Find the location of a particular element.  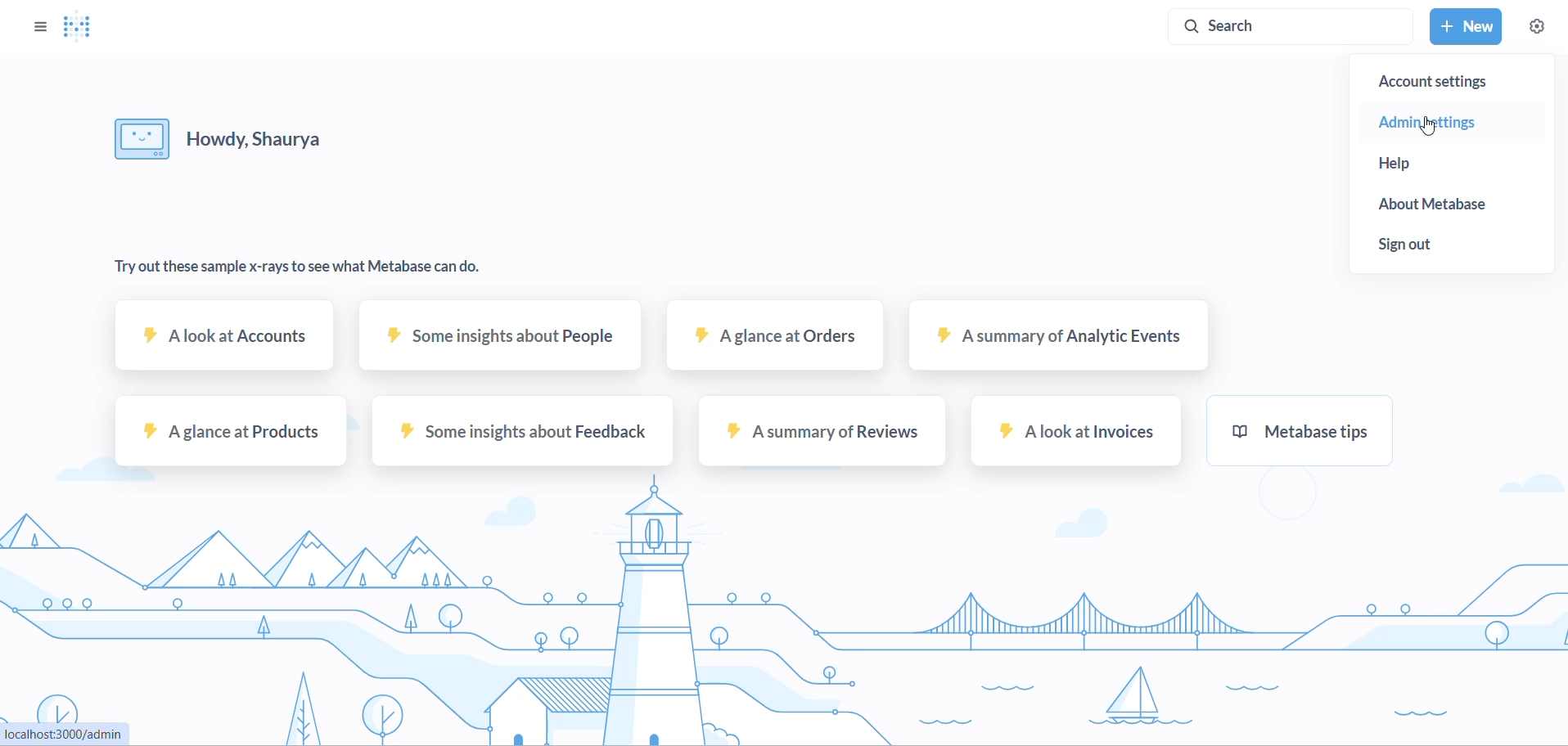

A glance at products sample is located at coordinates (214, 429).